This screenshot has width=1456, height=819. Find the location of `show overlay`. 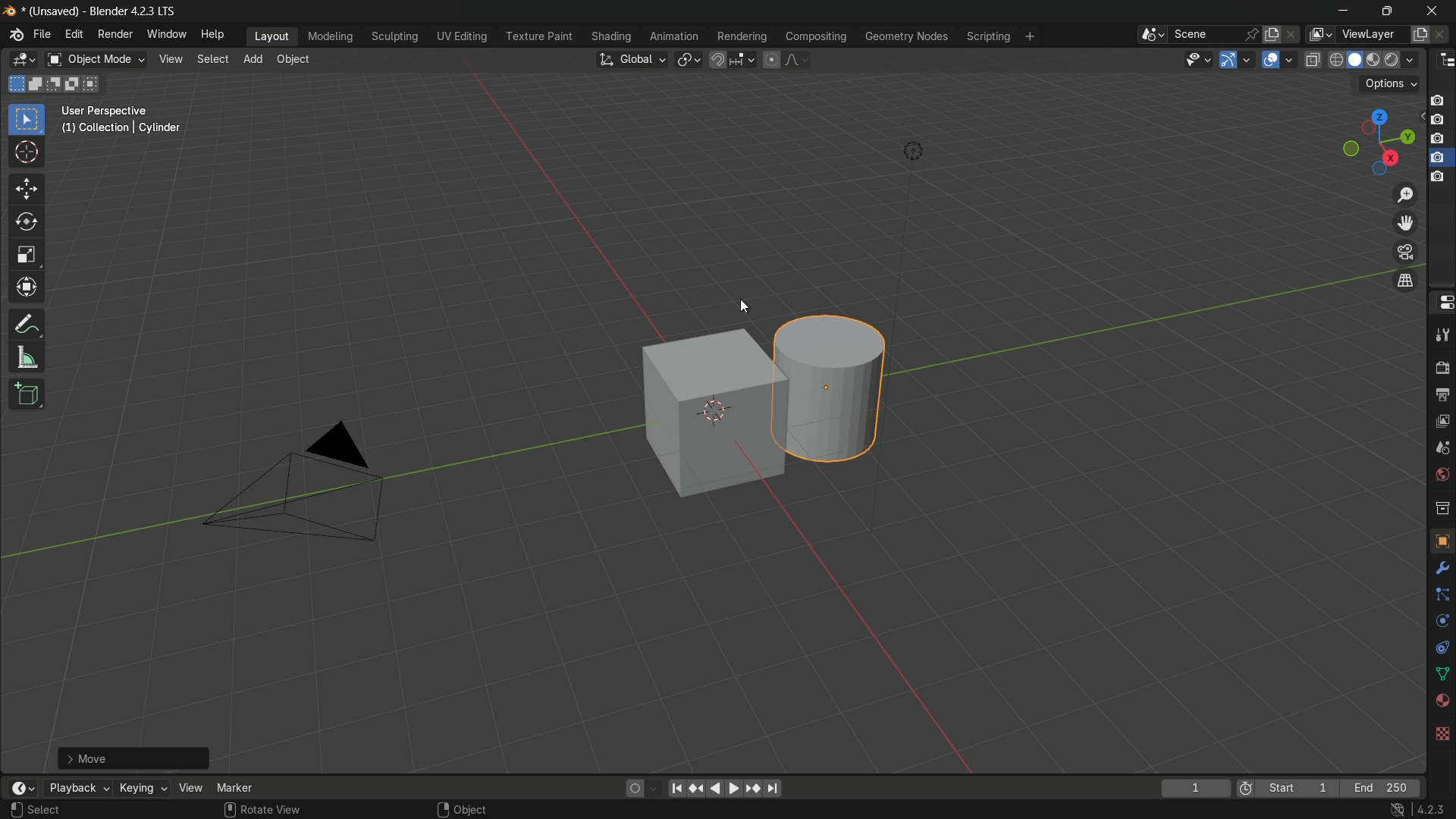

show overlay is located at coordinates (1272, 60).